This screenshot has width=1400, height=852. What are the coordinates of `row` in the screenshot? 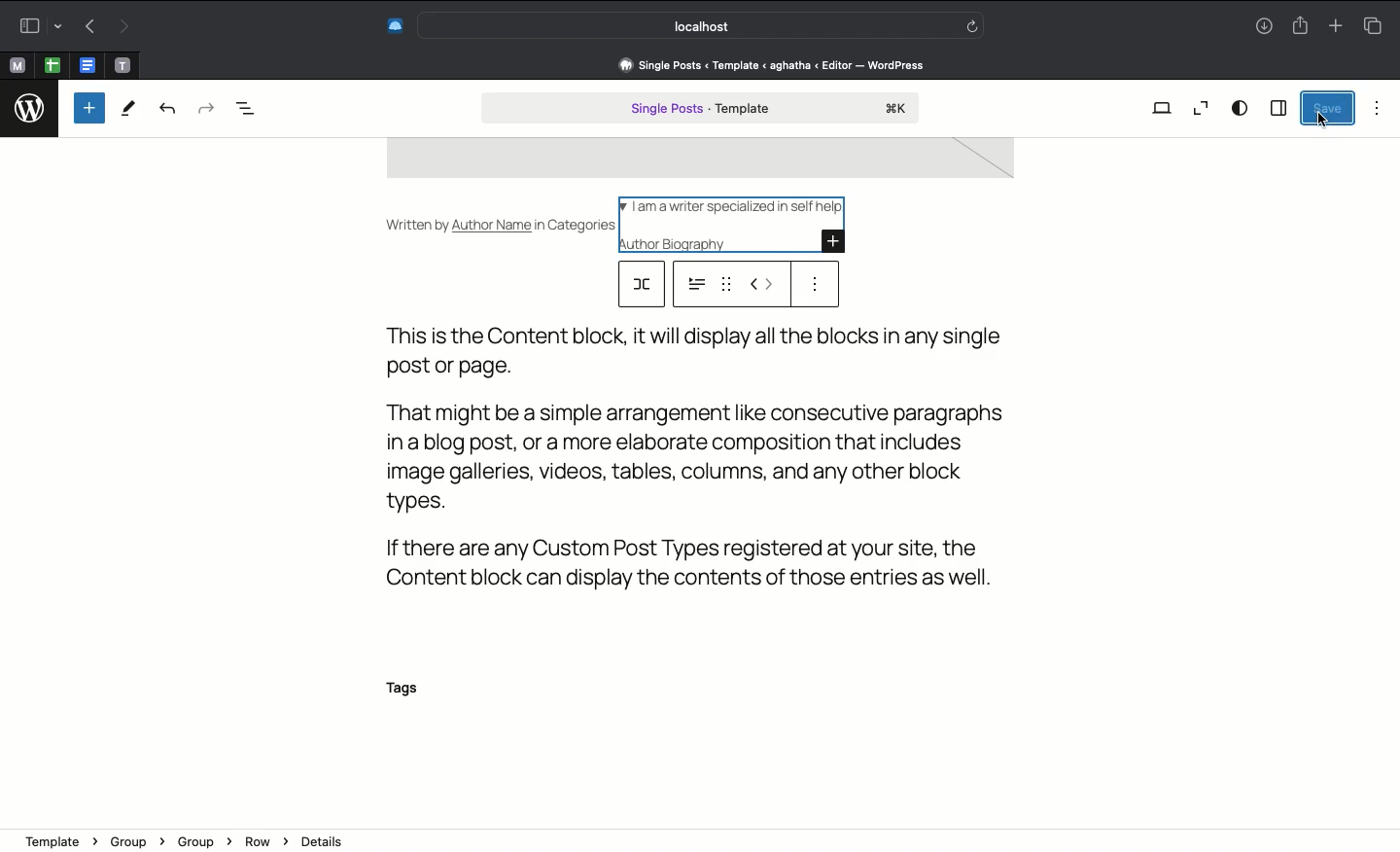 It's located at (641, 284).